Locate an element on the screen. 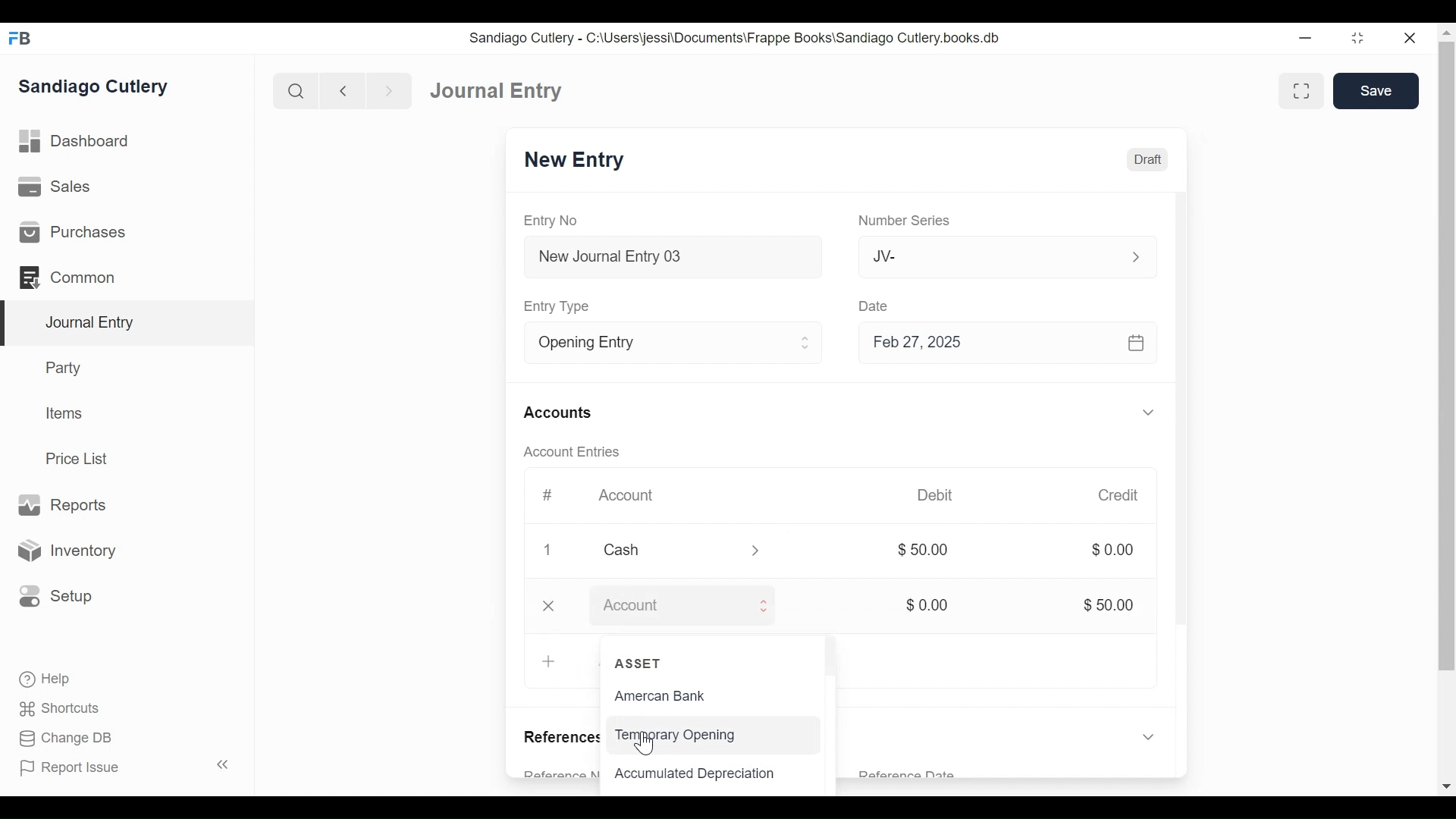 This screenshot has height=819, width=1456. Amercan Bank is located at coordinates (671, 696).